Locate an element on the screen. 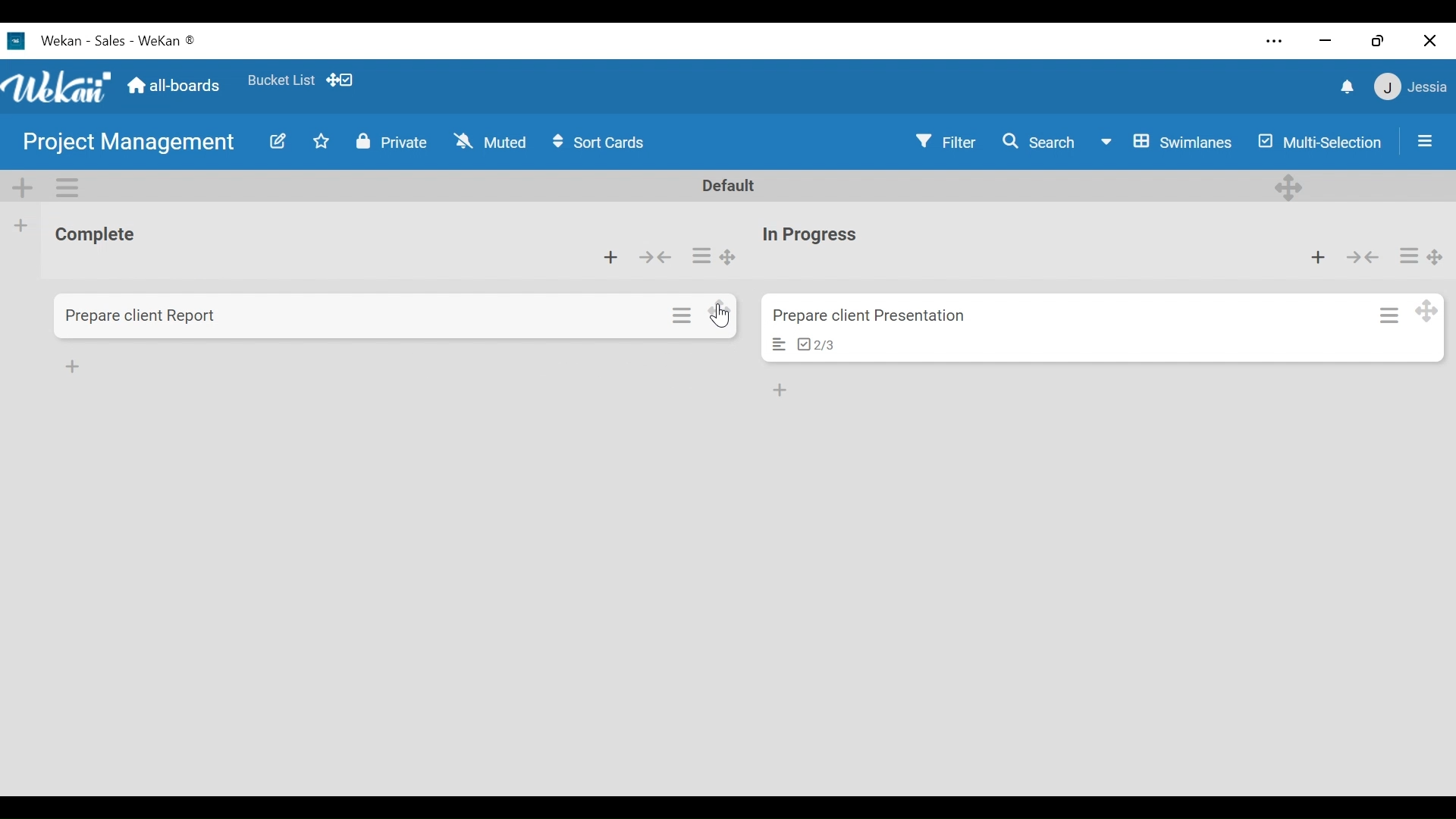 The image size is (1456, 819). Board View is located at coordinates (1167, 143).